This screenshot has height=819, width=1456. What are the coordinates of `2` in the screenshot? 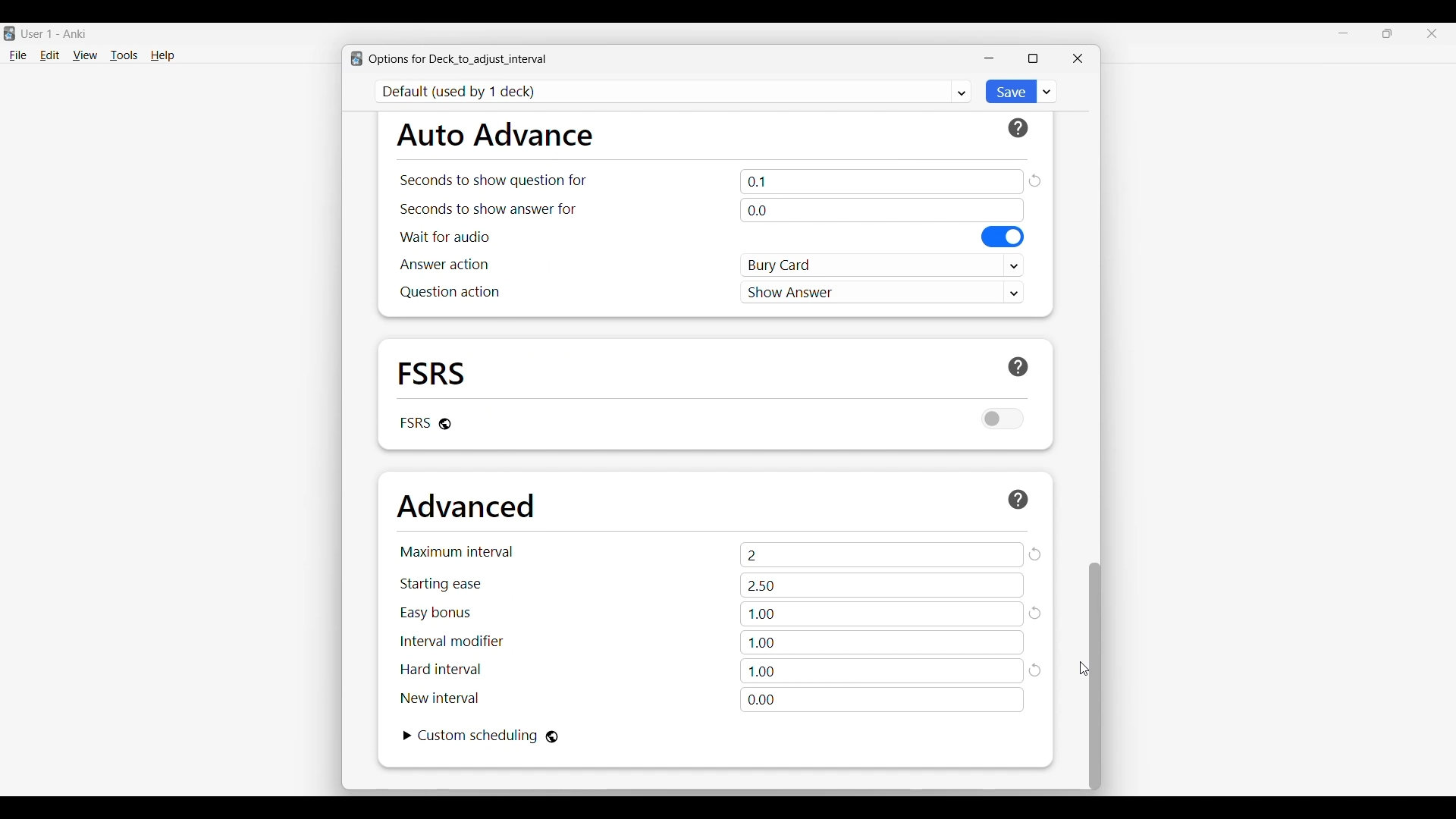 It's located at (882, 554).